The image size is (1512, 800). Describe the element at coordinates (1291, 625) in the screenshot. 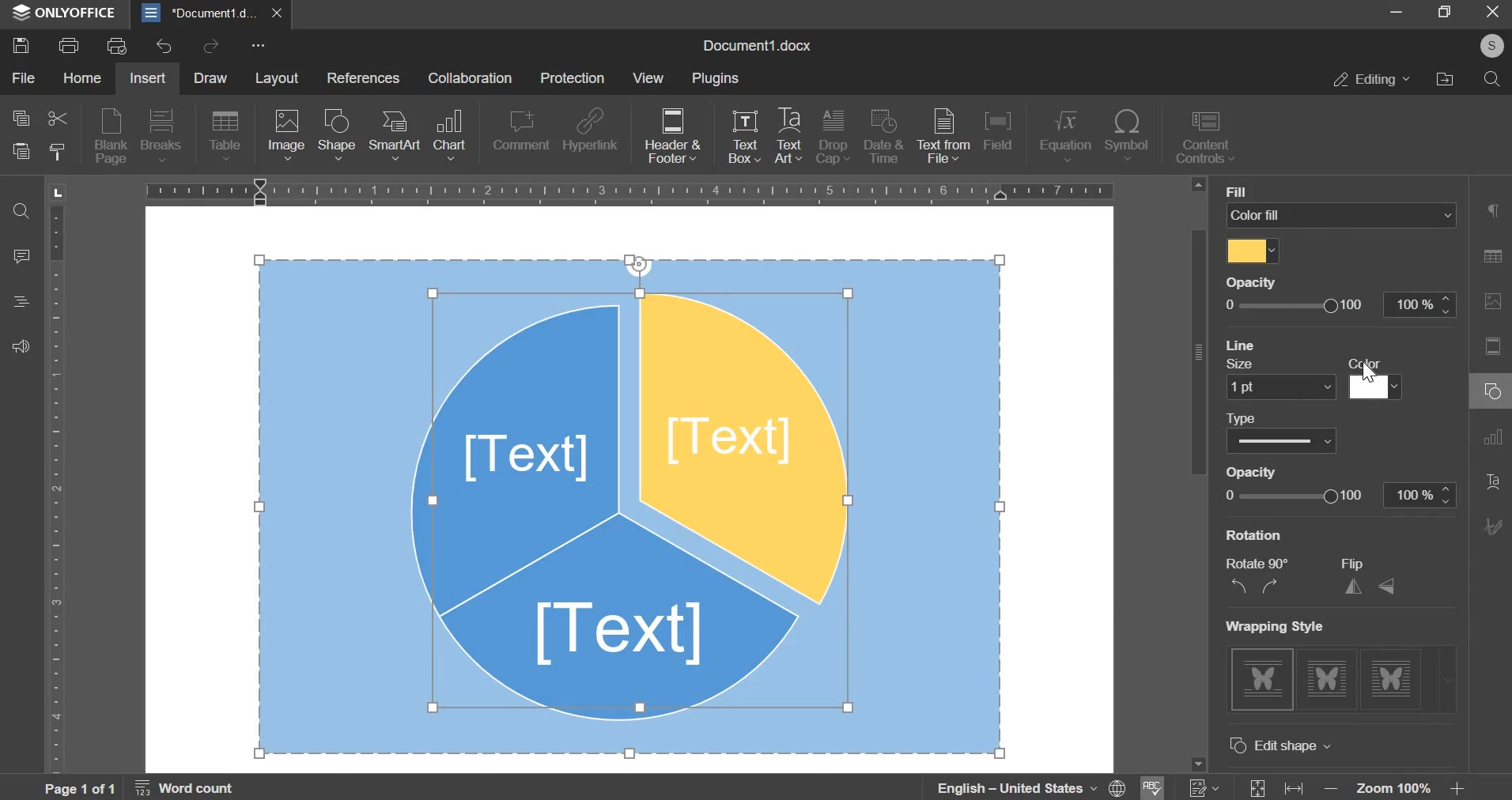

I see `` at that location.